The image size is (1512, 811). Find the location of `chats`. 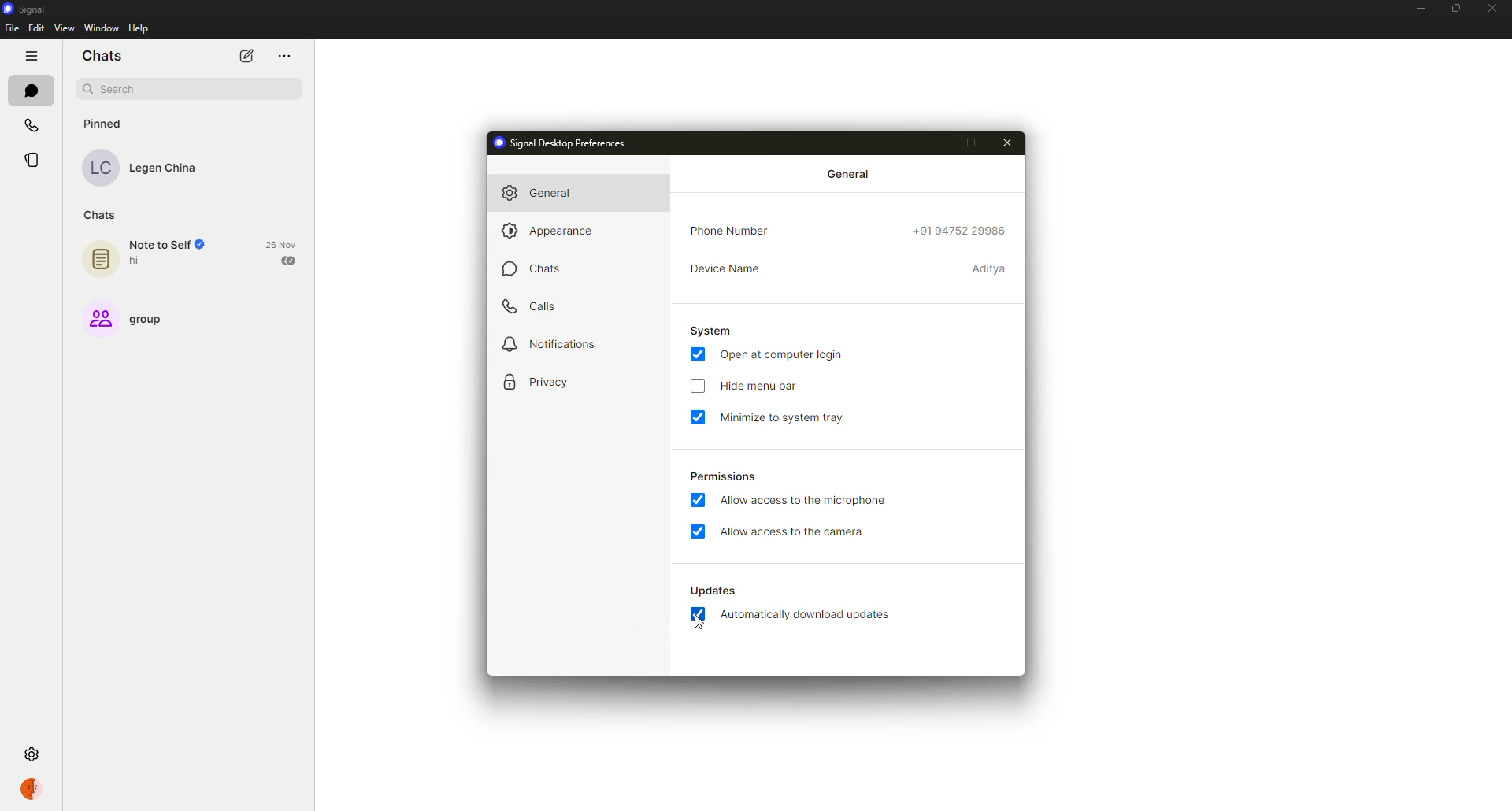

chats is located at coordinates (544, 269).